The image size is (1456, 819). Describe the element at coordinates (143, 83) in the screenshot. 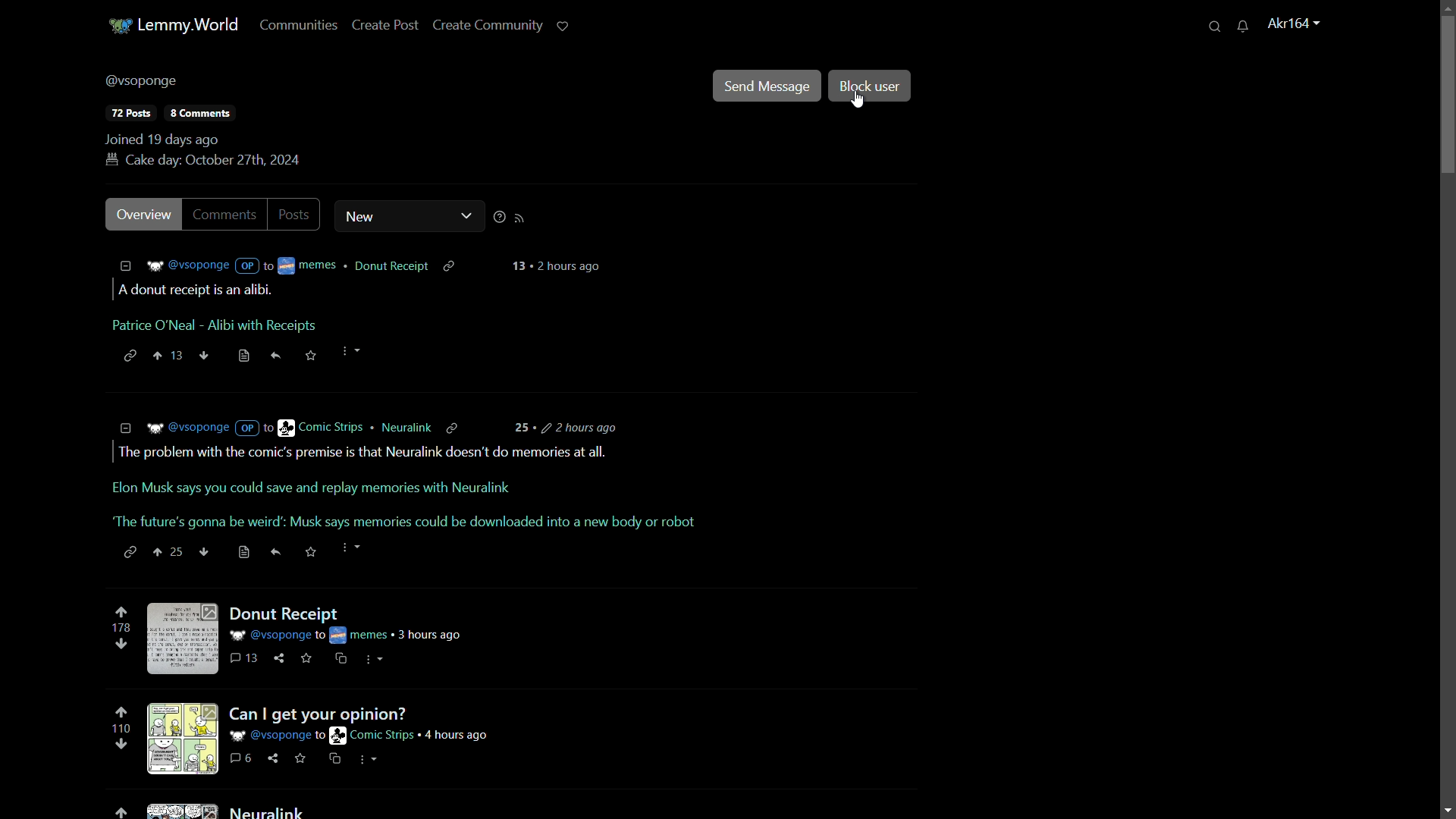

I see `username` at that location.